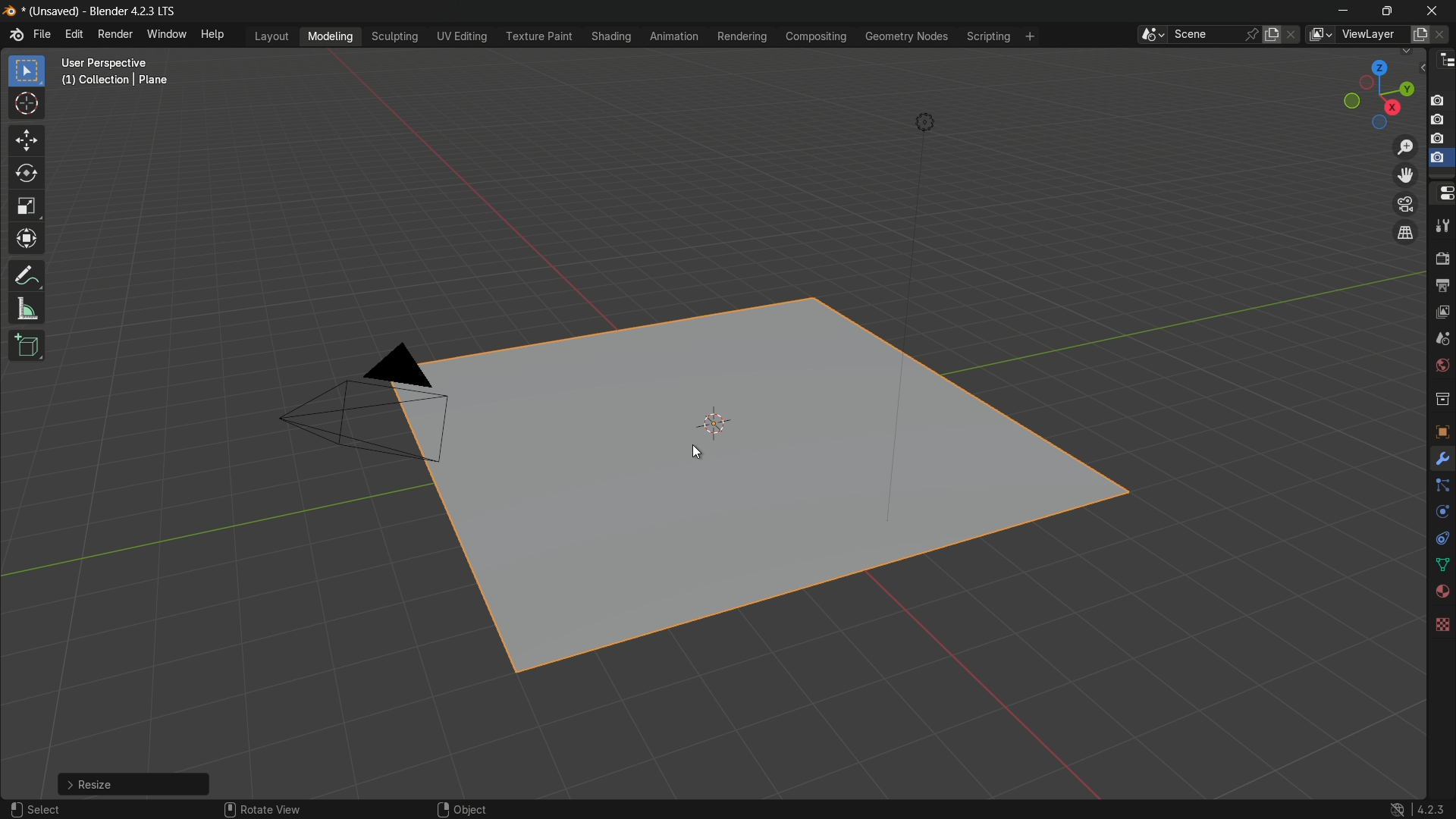 This screenshot has height=819, width=1456. I want to click on texture, so click(1441, 623).